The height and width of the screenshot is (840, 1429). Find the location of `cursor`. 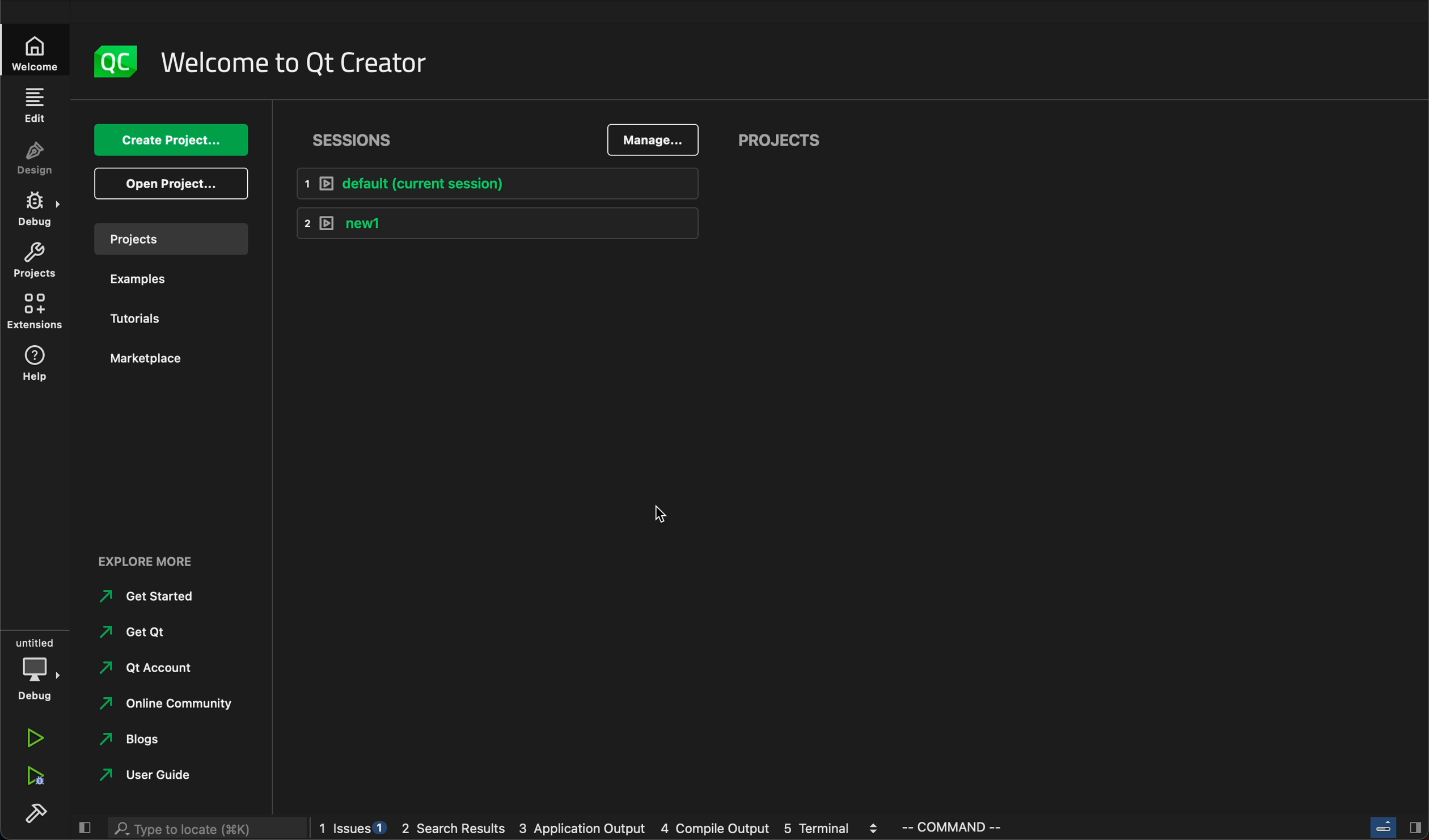

cursor is located at coordinates (669, 514).